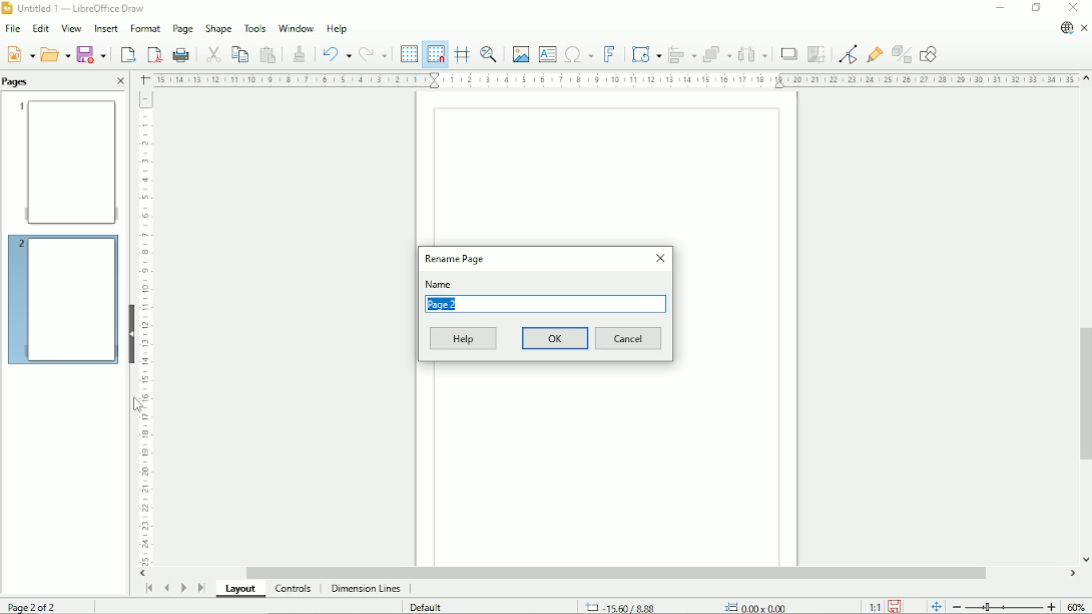  Describe the element at coordinates (154, 55) in the screenshot. I see `Export directly as PDF` at that location.